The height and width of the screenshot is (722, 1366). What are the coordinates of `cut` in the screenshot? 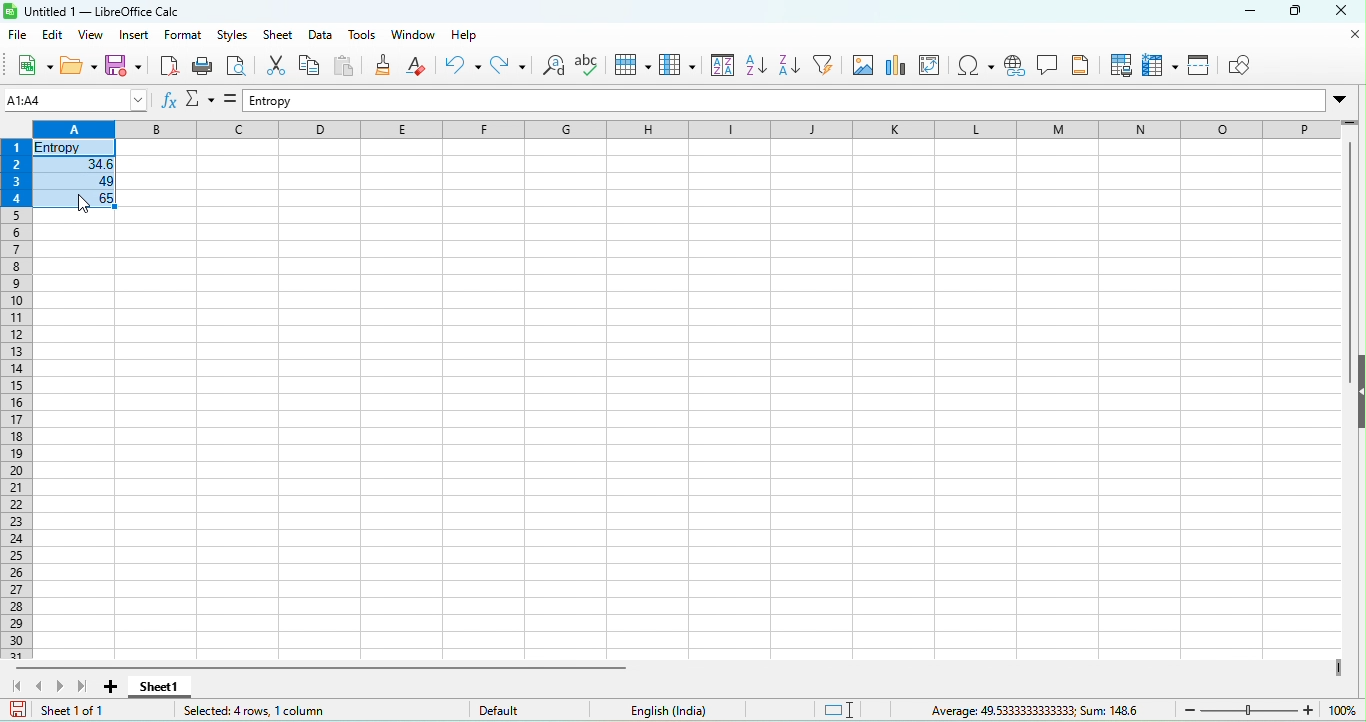 It's located at (272, 68).